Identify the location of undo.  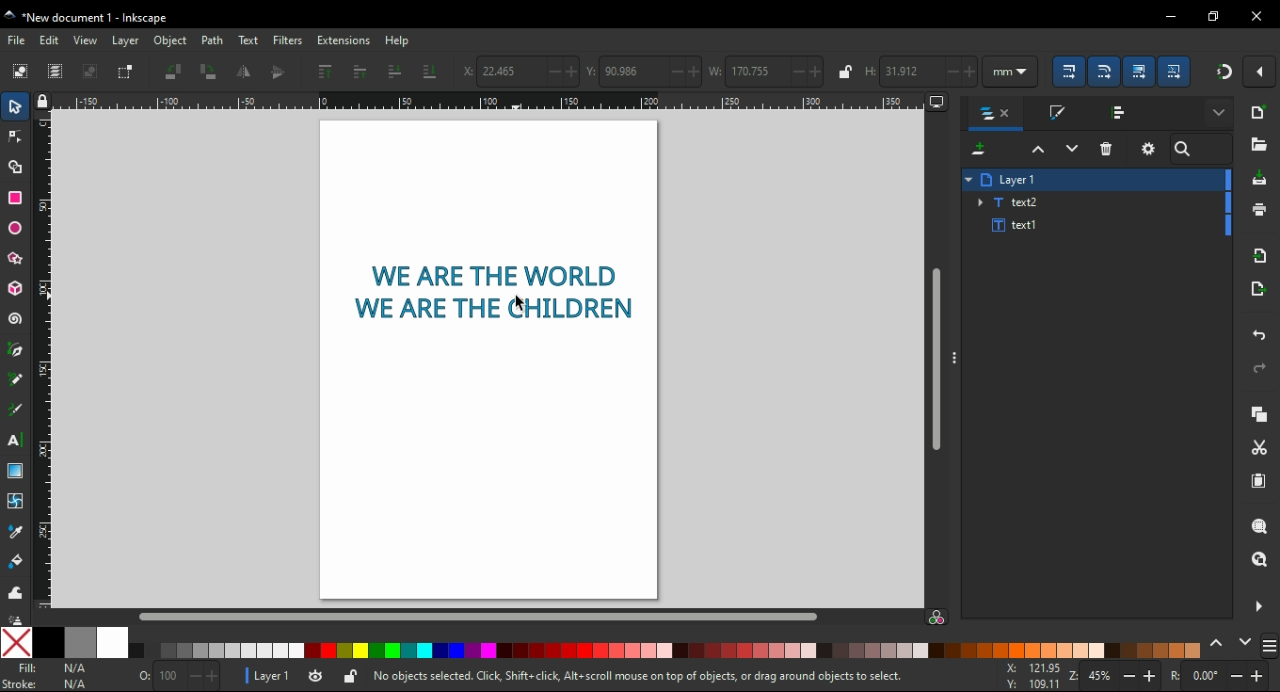
(1258, 335).